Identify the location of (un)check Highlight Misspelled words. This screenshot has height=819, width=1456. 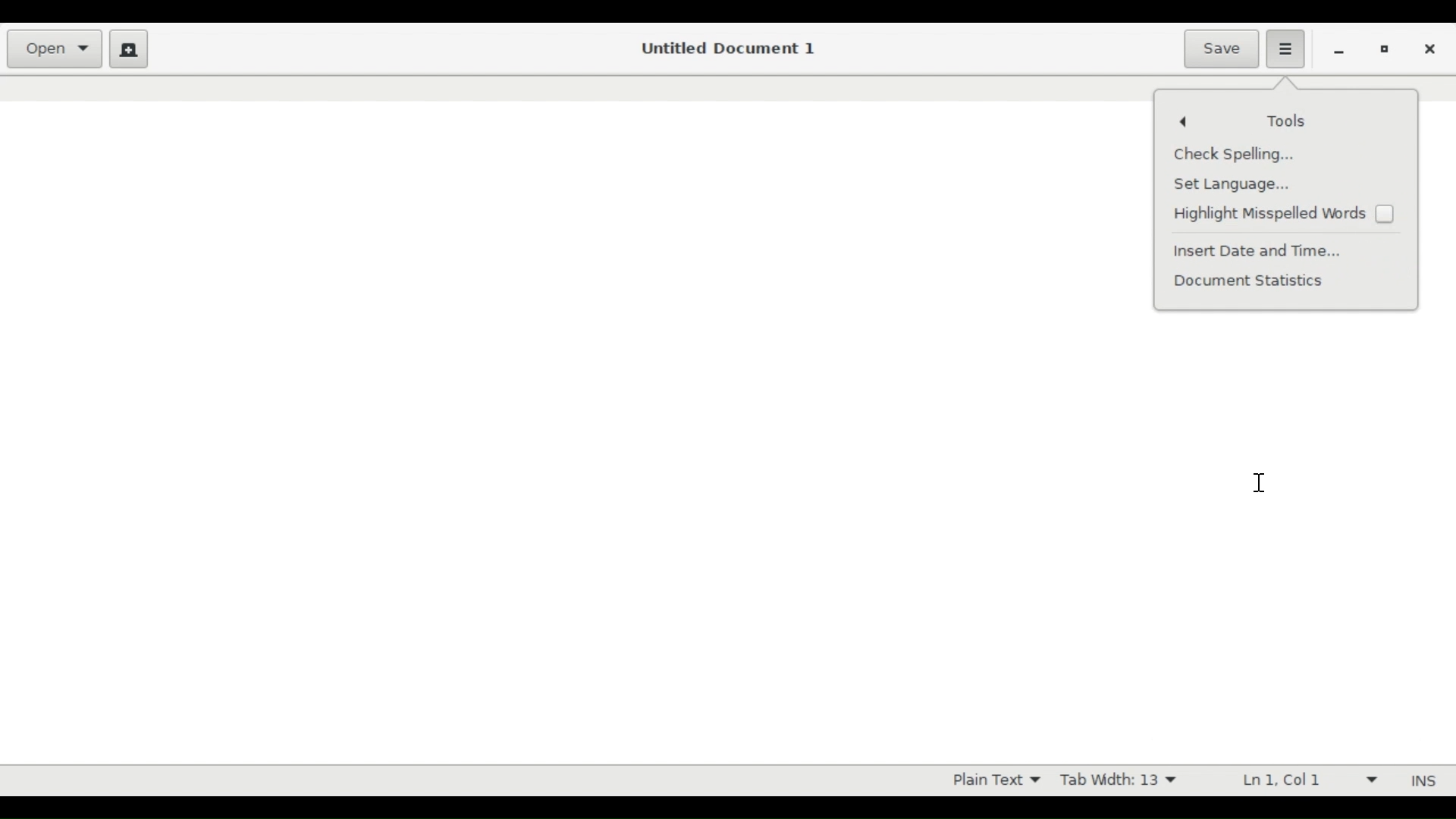
(1288, 213).